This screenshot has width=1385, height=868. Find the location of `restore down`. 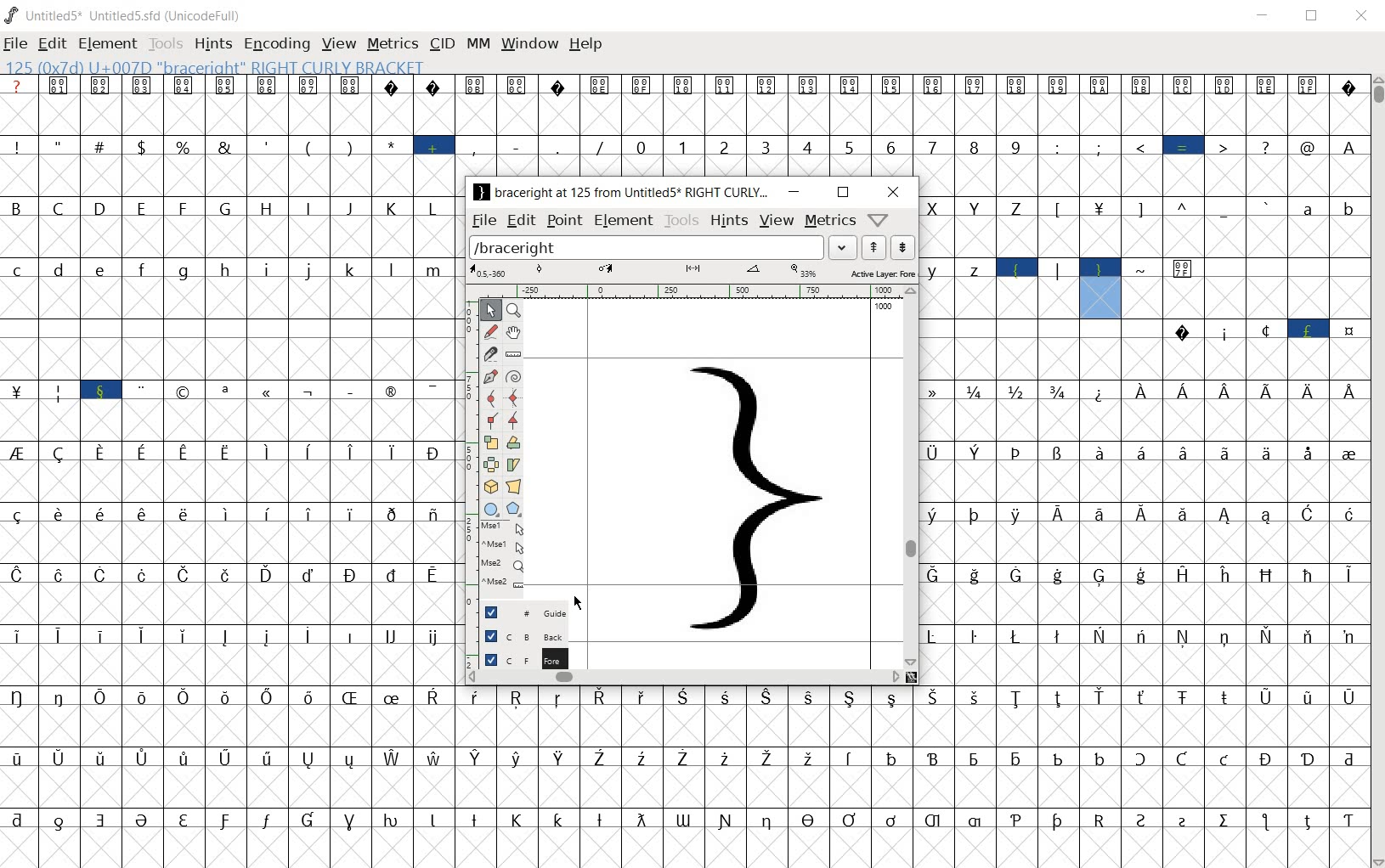

restore down is located at coordinates (843, 192).